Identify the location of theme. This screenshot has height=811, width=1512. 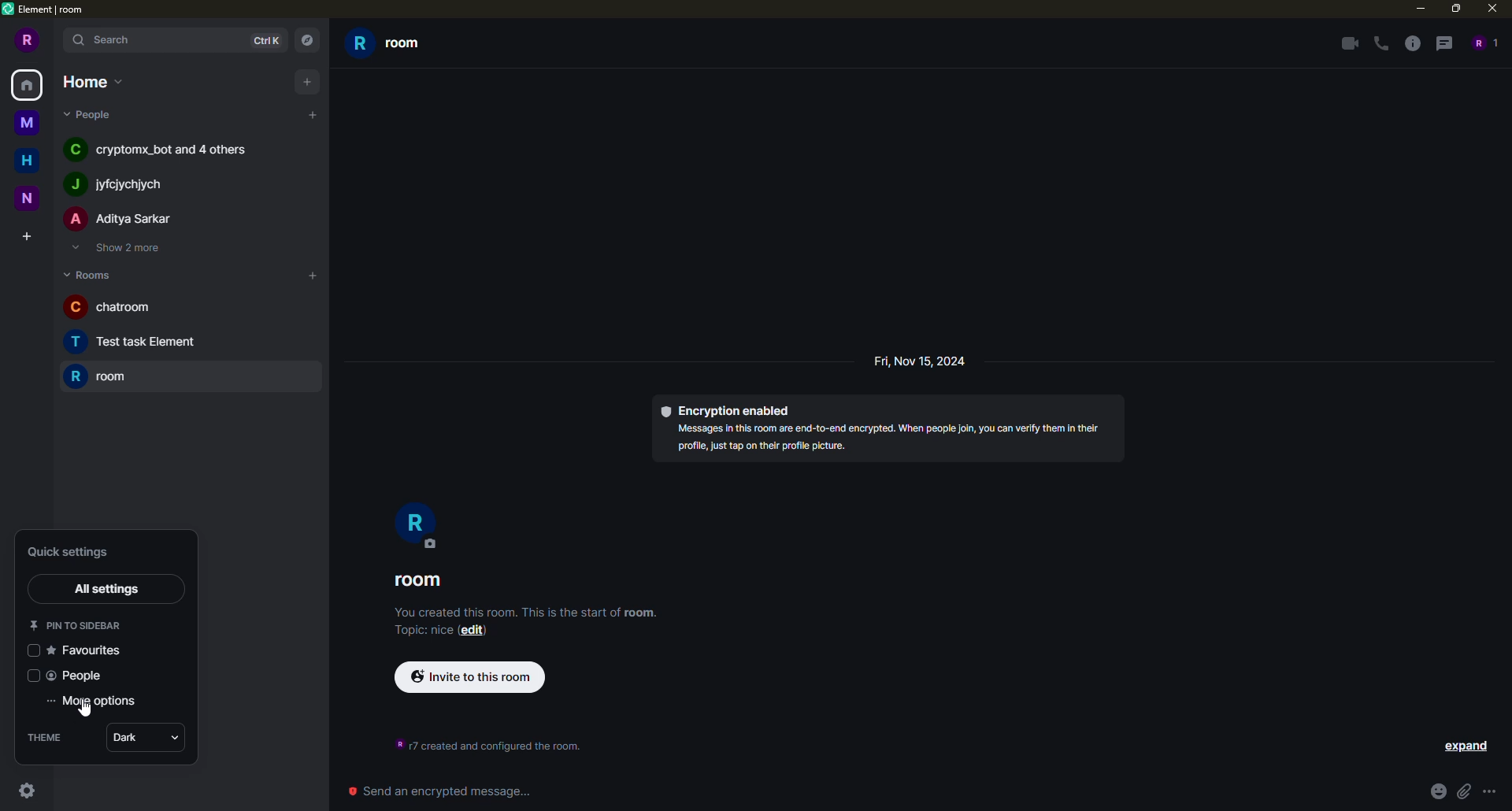
(48, 736).